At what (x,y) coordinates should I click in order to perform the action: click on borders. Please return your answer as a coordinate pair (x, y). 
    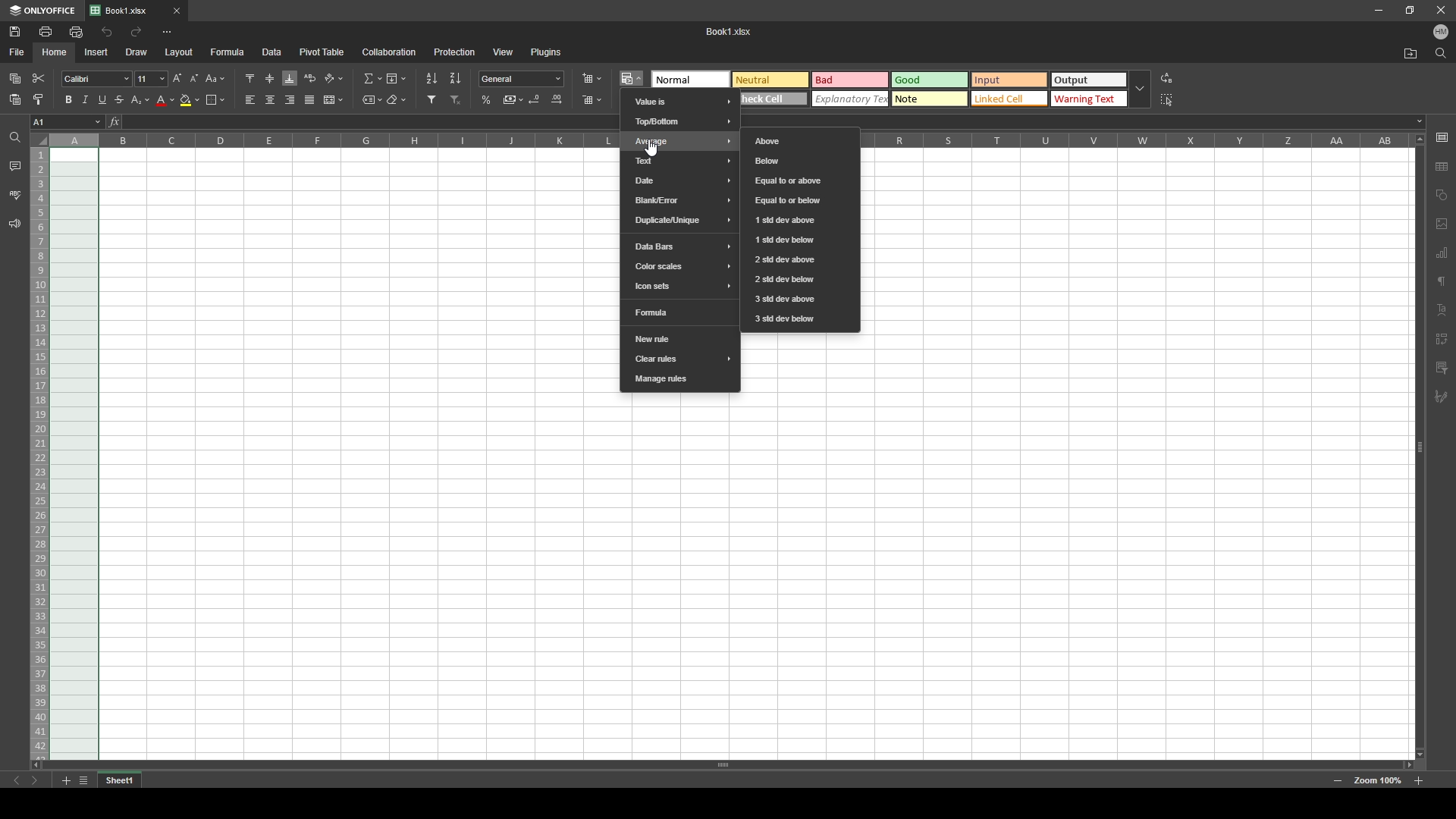
    Looking at the image, I should click on (215, 99).